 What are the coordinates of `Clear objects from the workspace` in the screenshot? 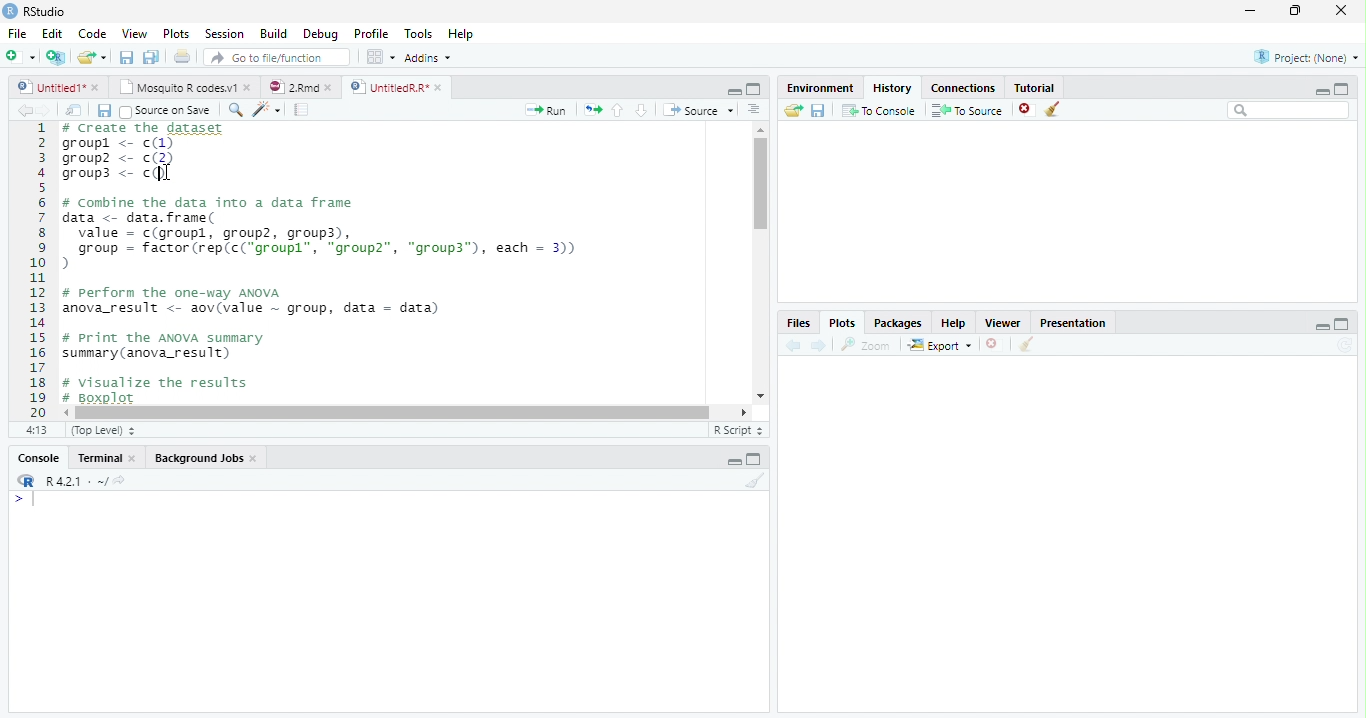 It's located at (1051, 106).